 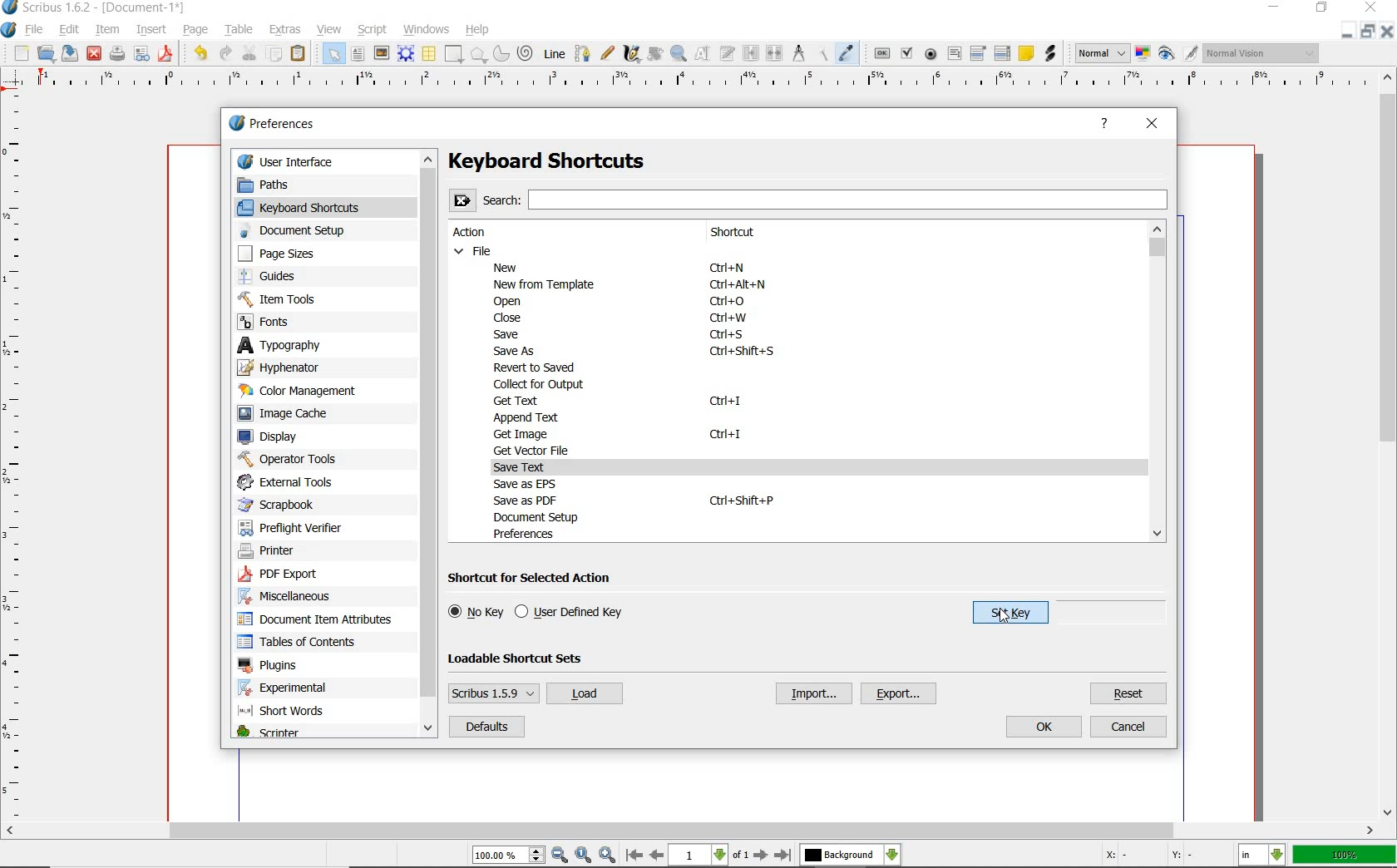 I want to click on select, so click(x=335, y=57).